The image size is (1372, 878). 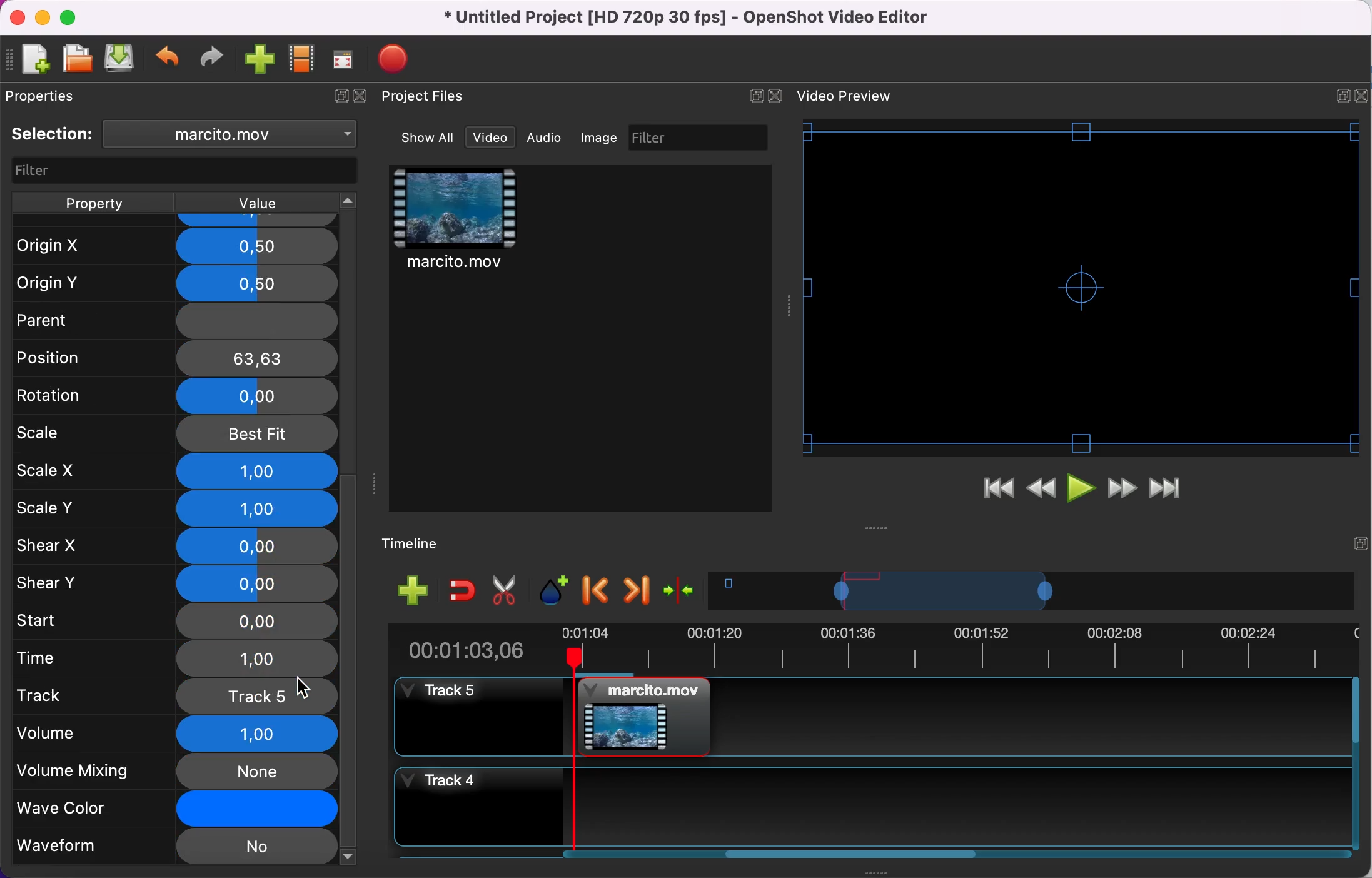 I want to click on Close, so click(x=1361, y=96).